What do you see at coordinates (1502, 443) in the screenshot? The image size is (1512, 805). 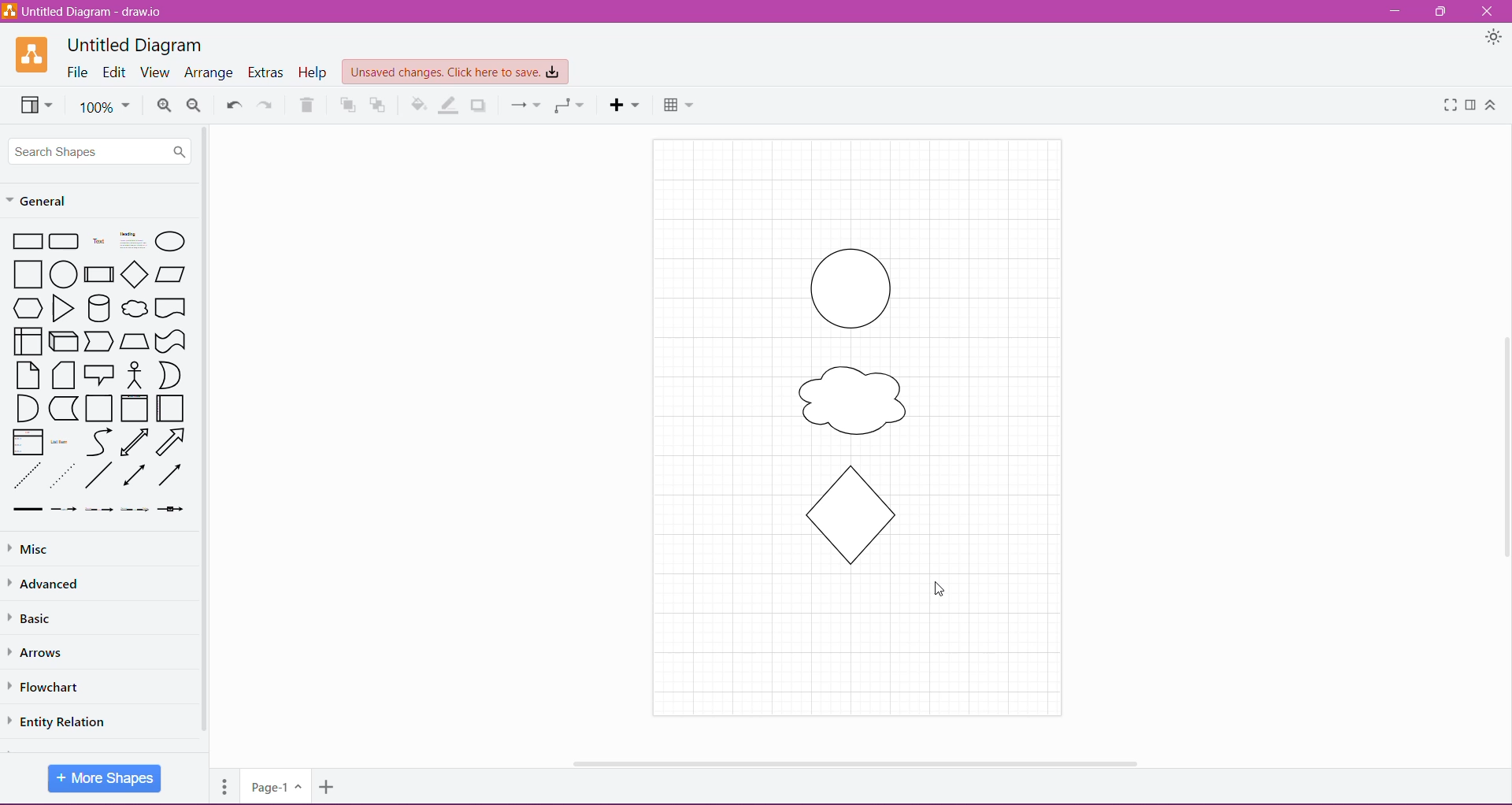 I see `Vertical Scroll Bar` at bounding box center [1502, 443].